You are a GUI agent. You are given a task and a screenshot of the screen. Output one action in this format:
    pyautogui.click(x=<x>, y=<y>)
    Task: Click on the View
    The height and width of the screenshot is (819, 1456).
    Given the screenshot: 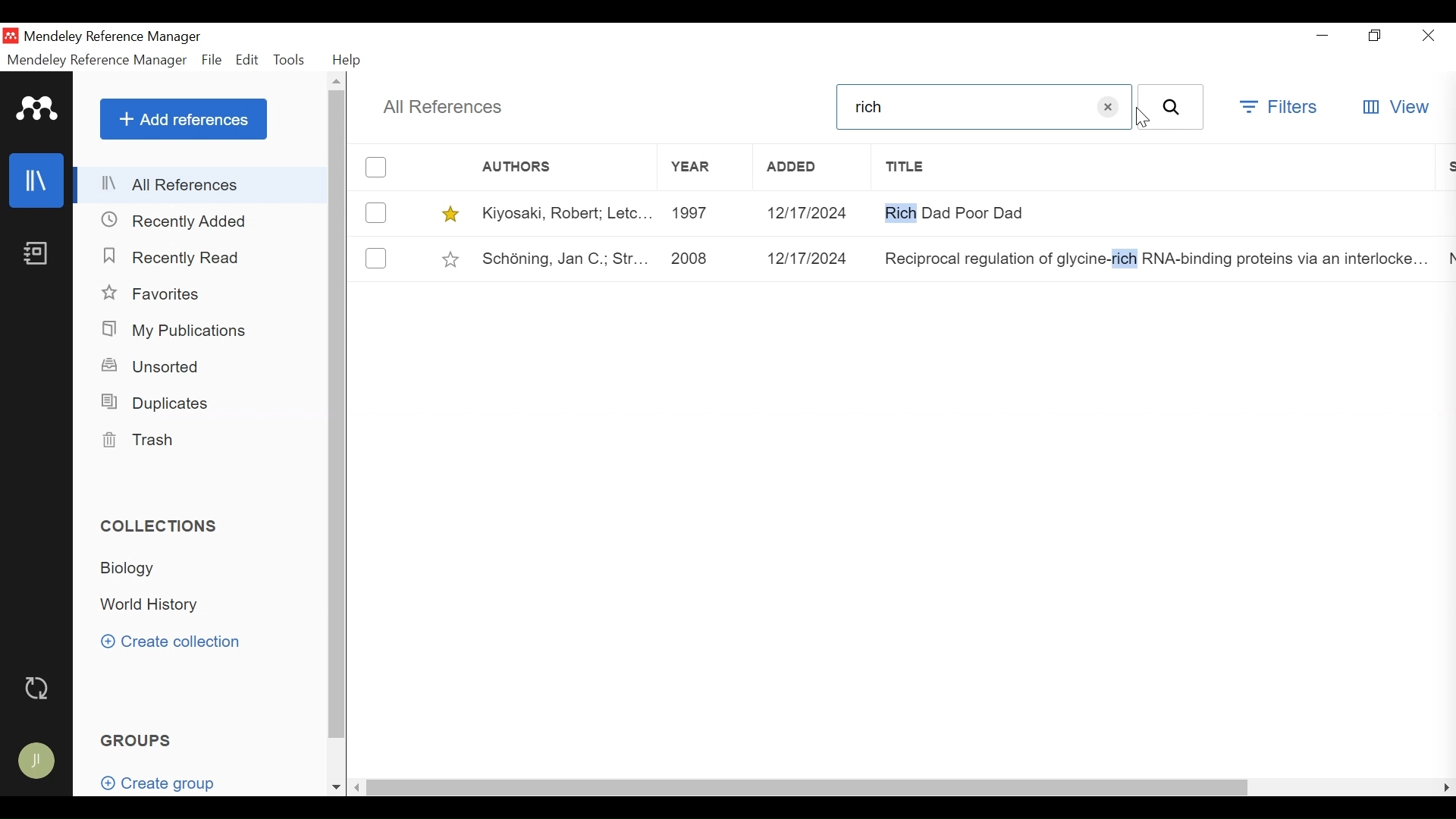 What is the action you would take?
    pyautogui.click(x=1396, y=107)
    